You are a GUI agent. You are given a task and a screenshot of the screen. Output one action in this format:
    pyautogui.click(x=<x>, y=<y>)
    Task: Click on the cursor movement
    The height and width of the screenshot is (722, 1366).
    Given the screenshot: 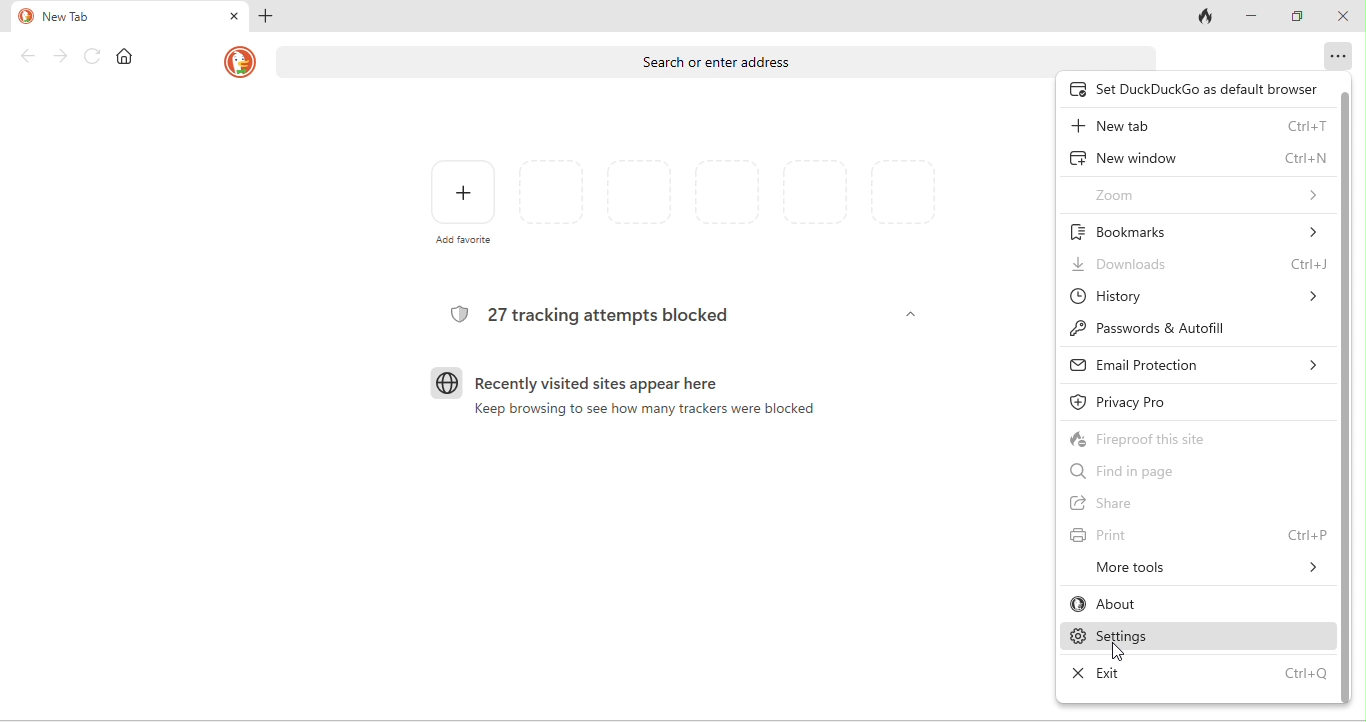 What is the action you would take?
    pyautogui.click(x=1122, y=655)
    